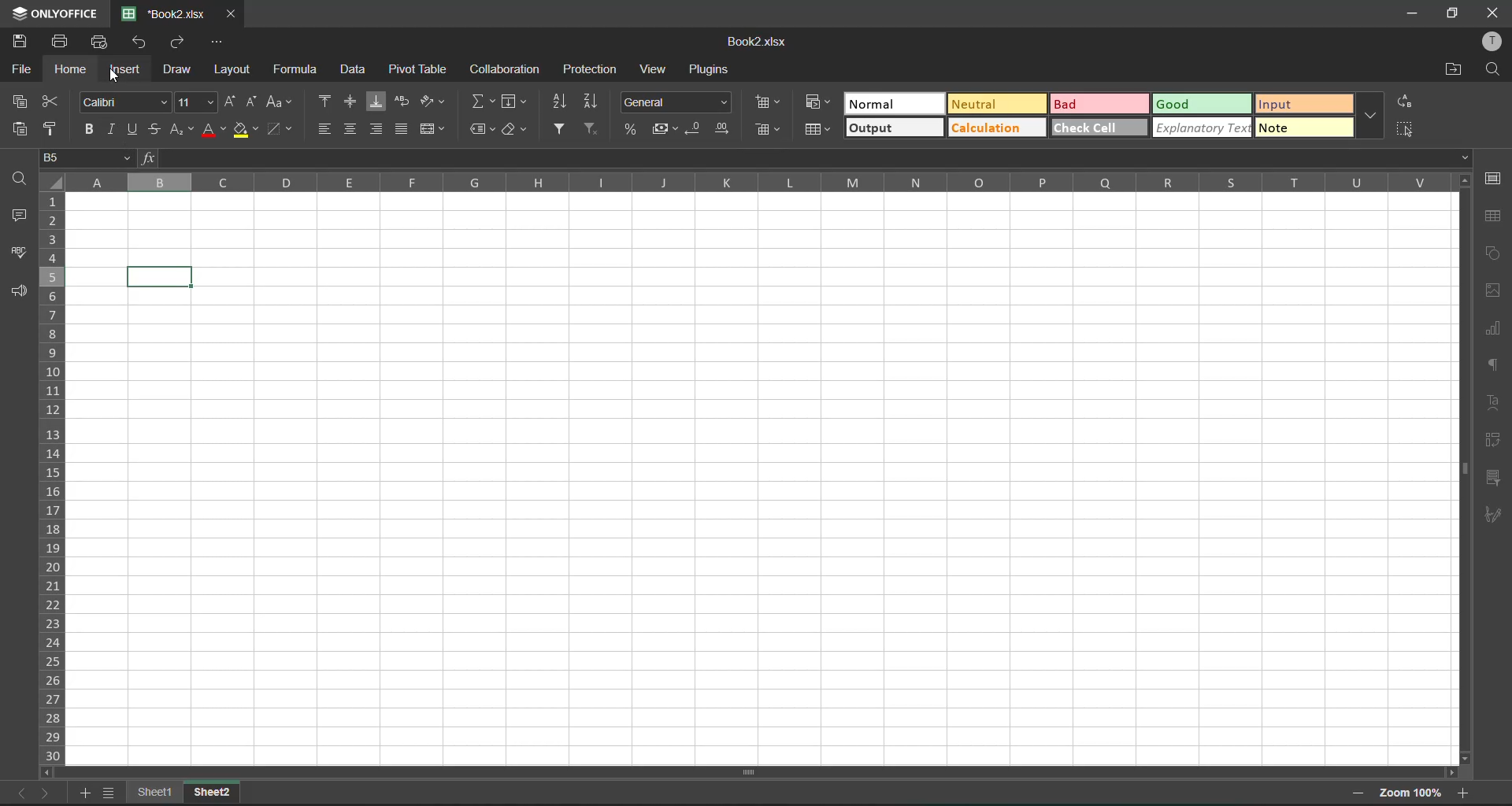 This screenshot has width=1512, height=806. What do you see at coordinates (20, 128) in the screenshot?
I see `paste` at bounding box center [20, 128].